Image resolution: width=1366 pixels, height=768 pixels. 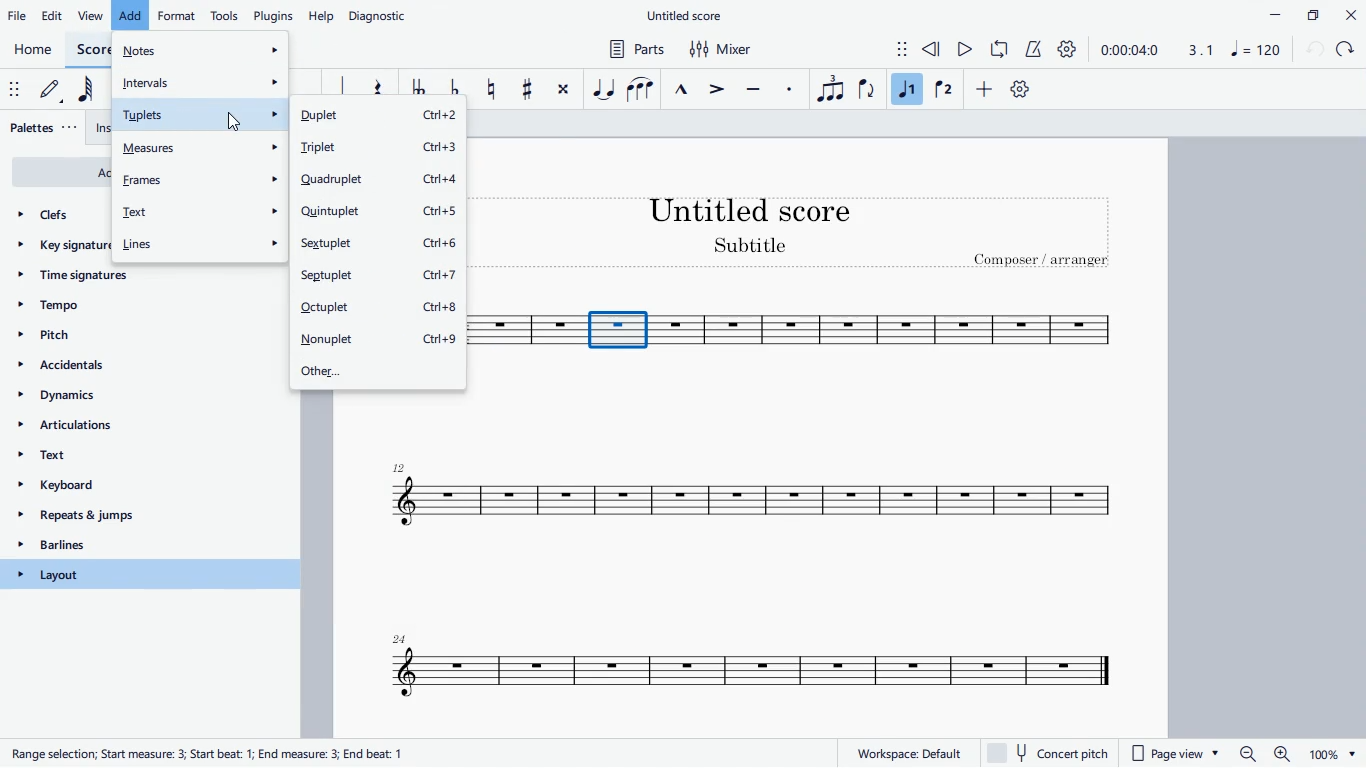 I want to click on slur, so click(x=640, y=87).